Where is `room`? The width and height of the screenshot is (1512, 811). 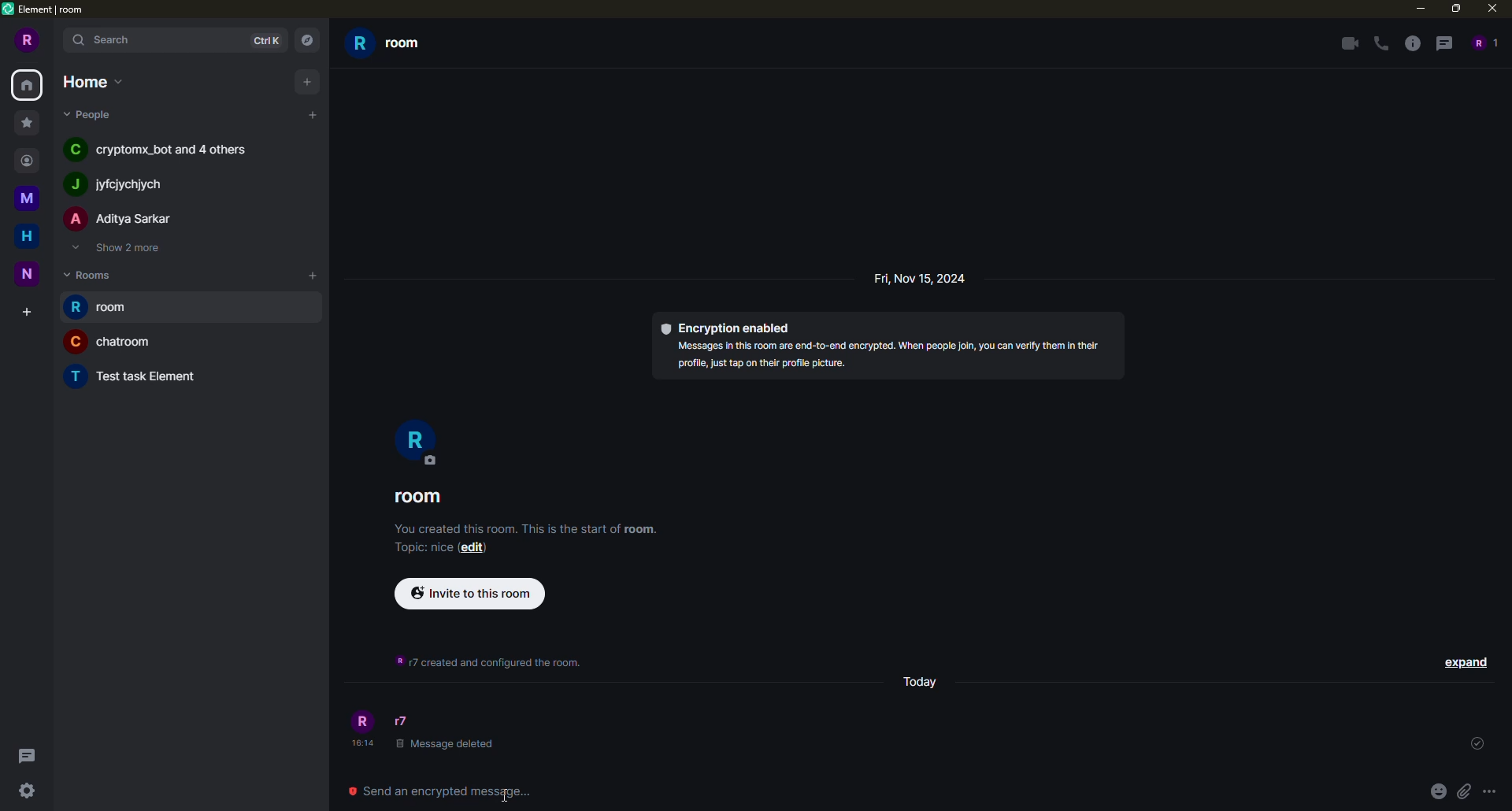
room is located at coordinates (422, 498).